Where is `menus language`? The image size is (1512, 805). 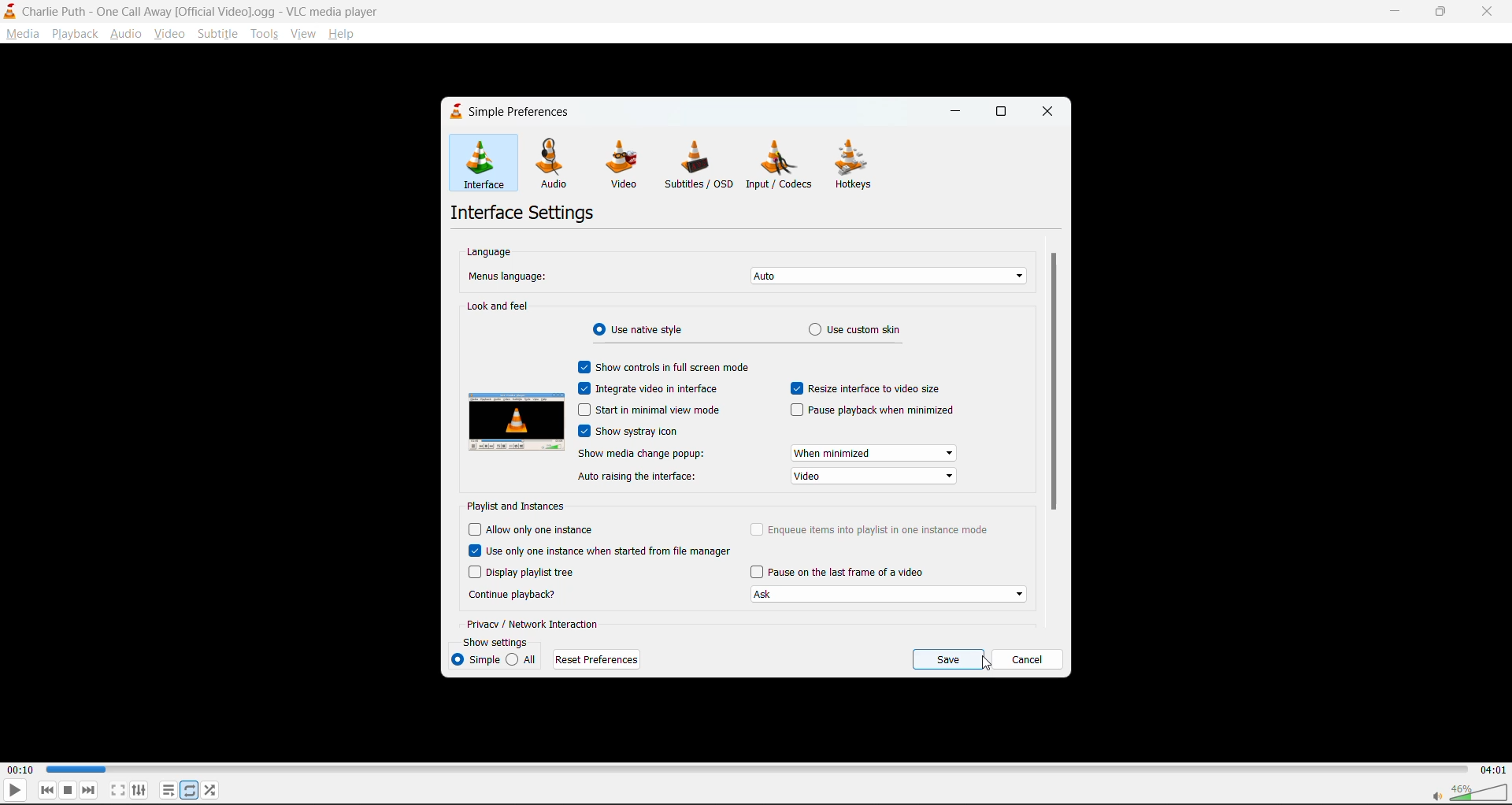 menus language is located at coordinates (510, 274).